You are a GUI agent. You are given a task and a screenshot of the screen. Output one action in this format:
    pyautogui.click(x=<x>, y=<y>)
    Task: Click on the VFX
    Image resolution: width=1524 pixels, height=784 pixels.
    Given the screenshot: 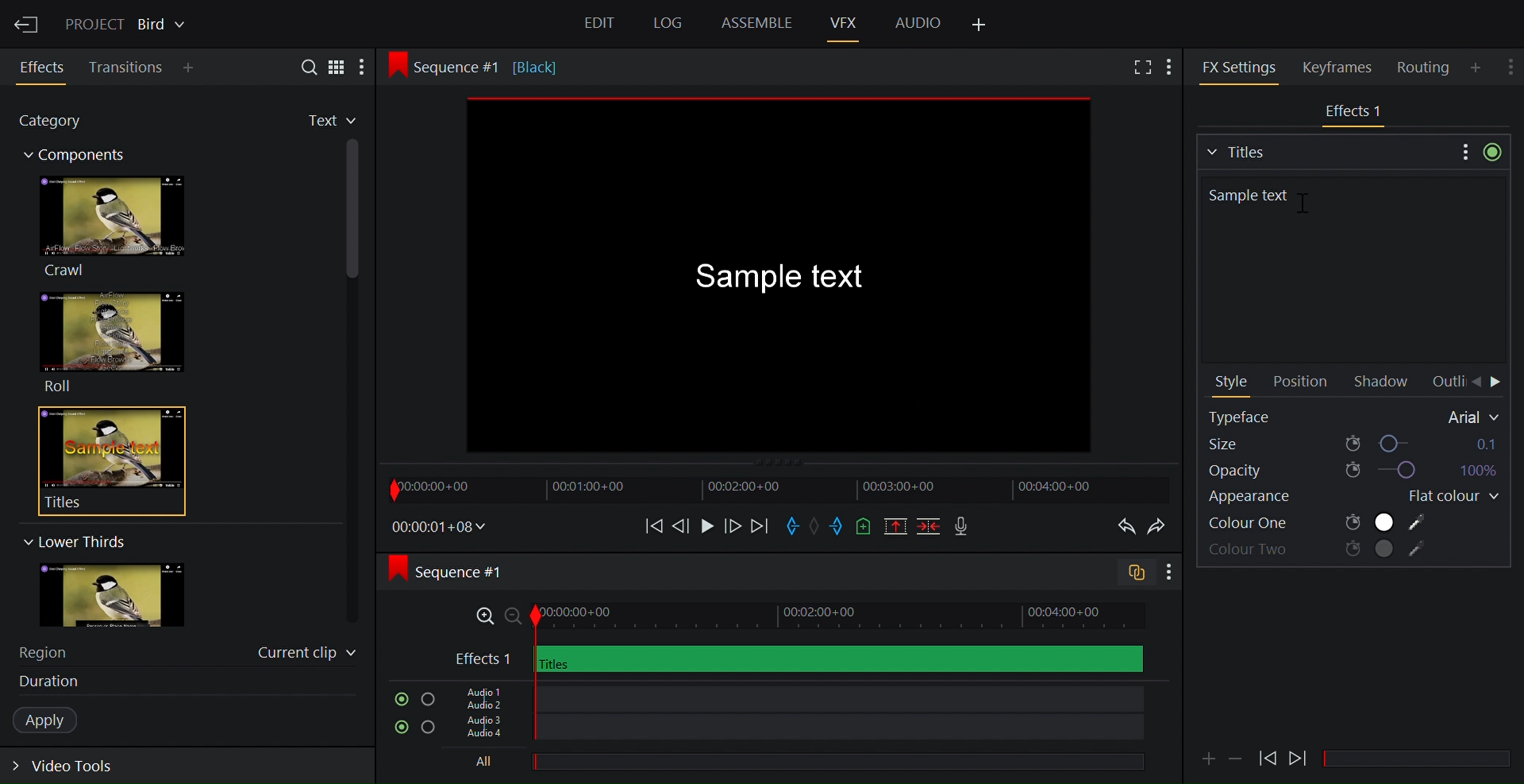 What is the action you would take?
    pyautogui.click(x=845, y=22)
    